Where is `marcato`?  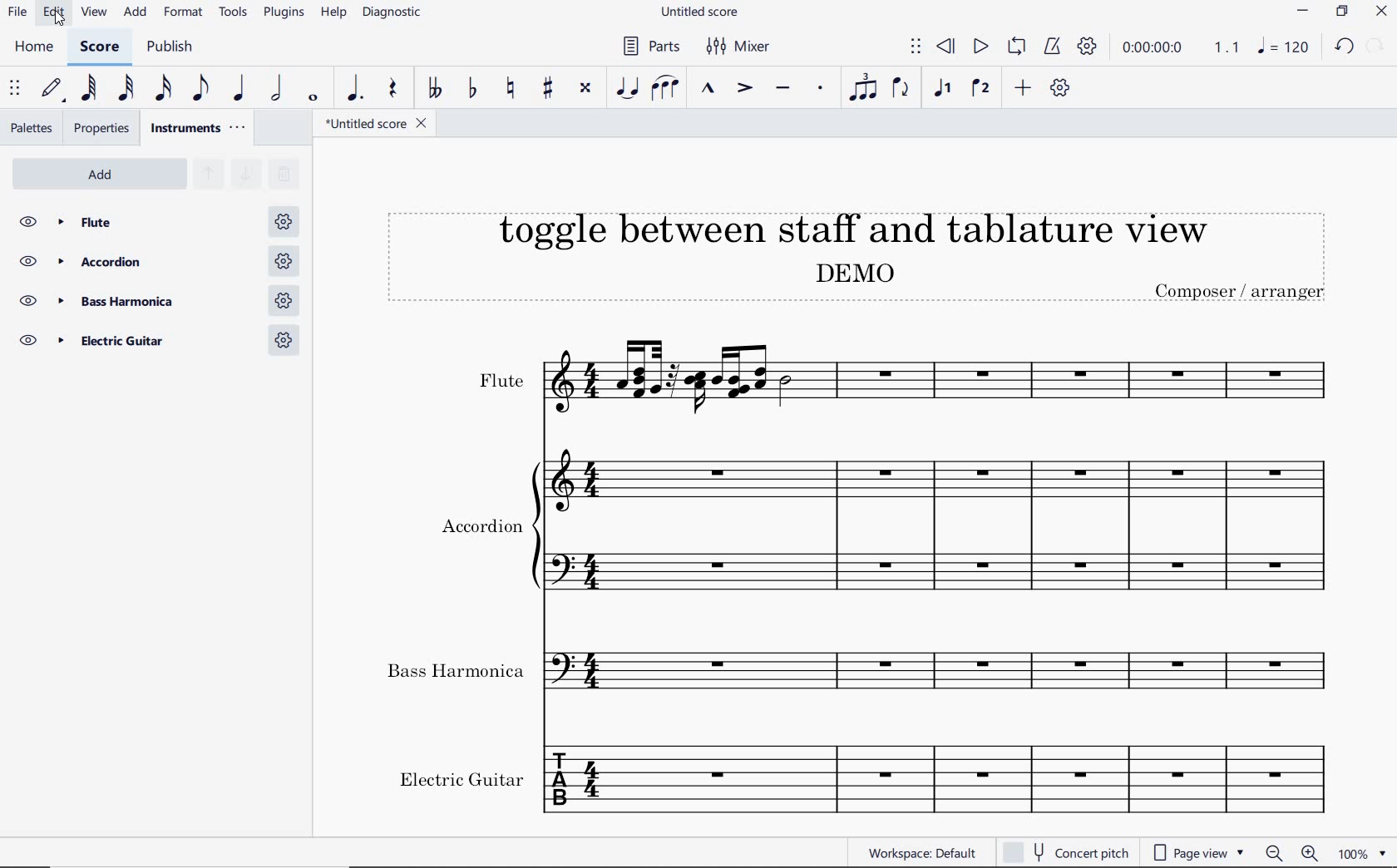
marcato is located at coordinates (709, 89).